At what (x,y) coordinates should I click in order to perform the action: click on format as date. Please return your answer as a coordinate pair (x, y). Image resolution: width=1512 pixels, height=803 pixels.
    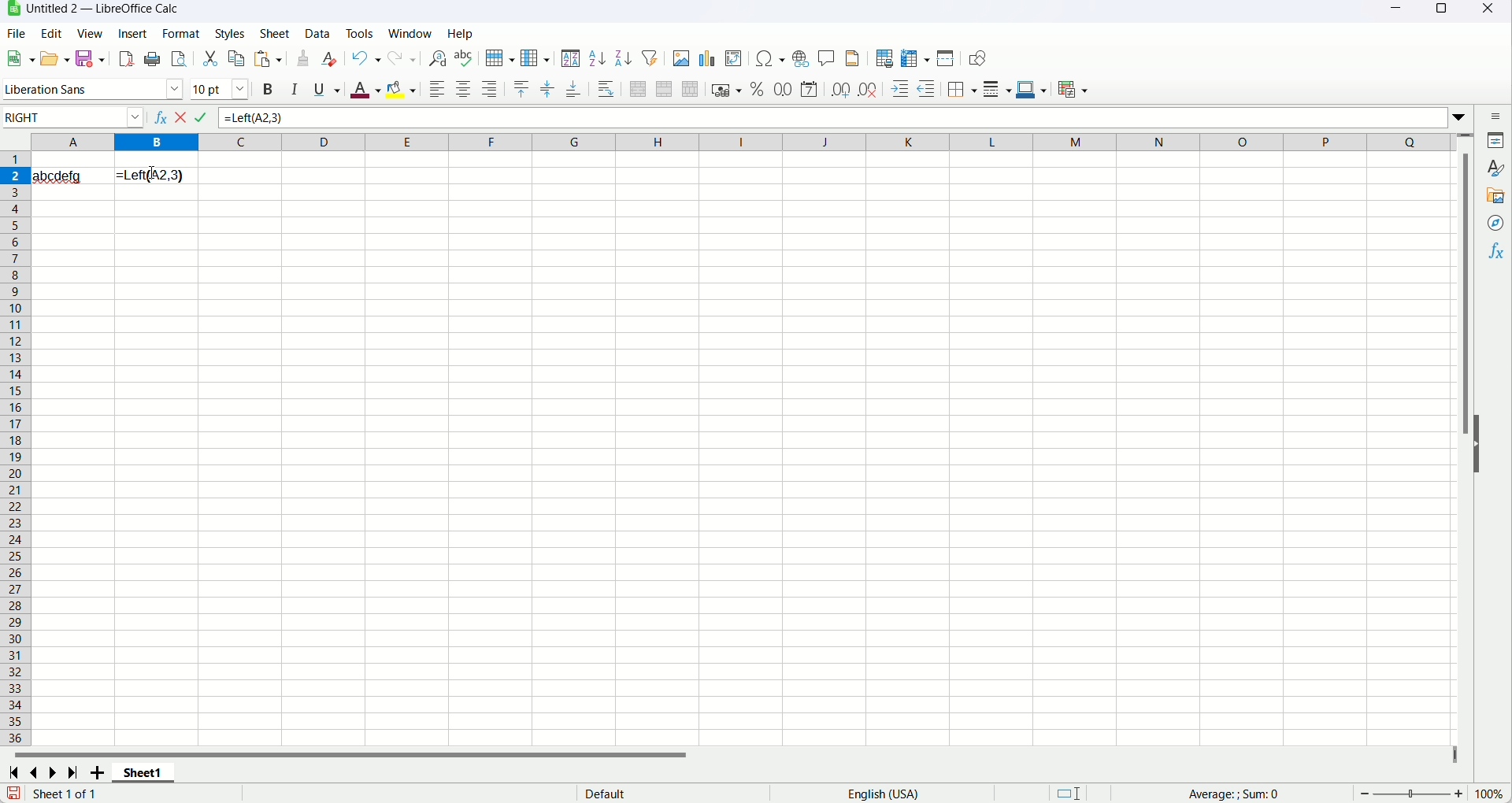
    Looking at the image, I should click on (808, 90).